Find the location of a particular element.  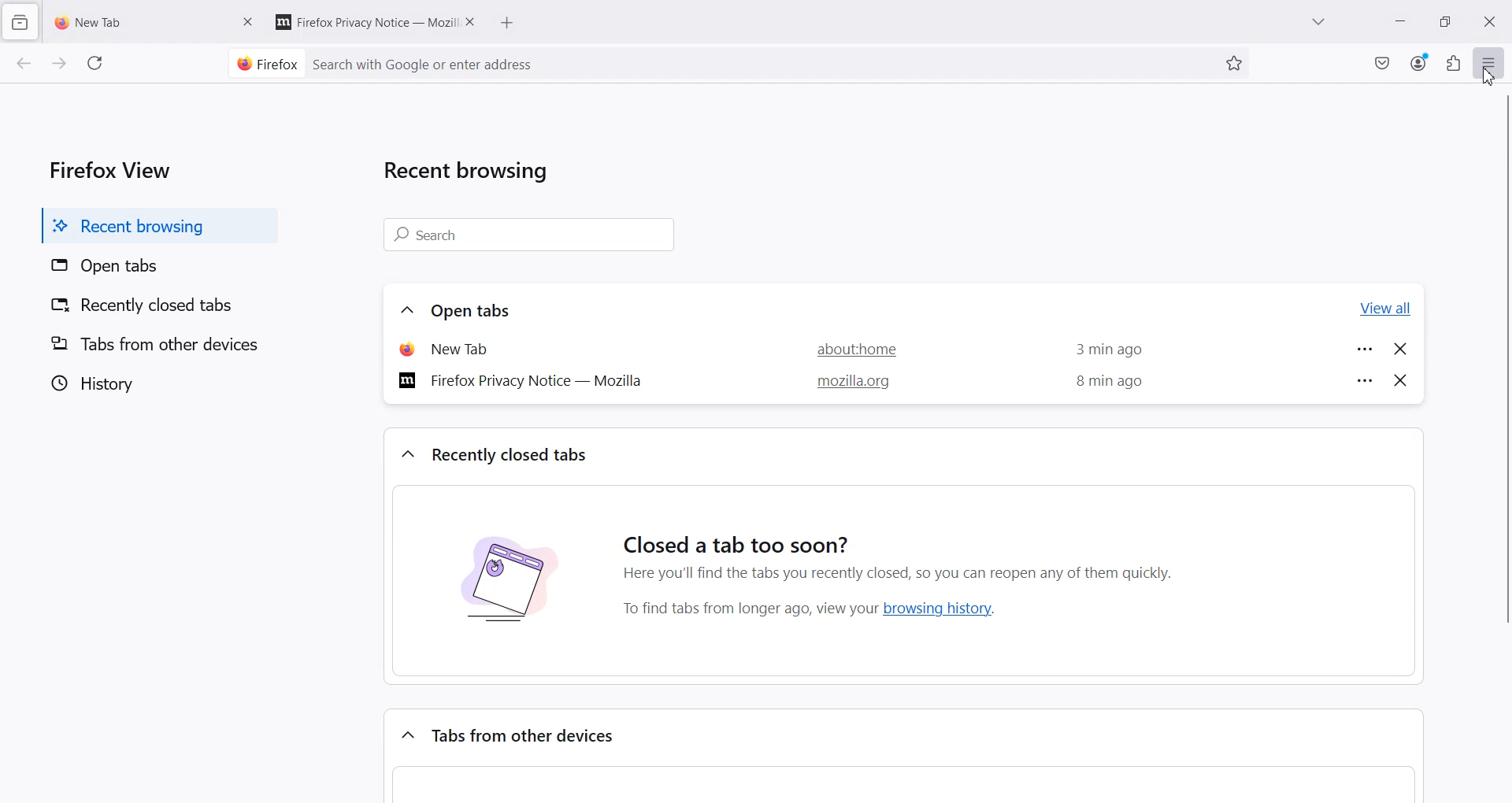

Close tab is located at coordinates (1402, 378).